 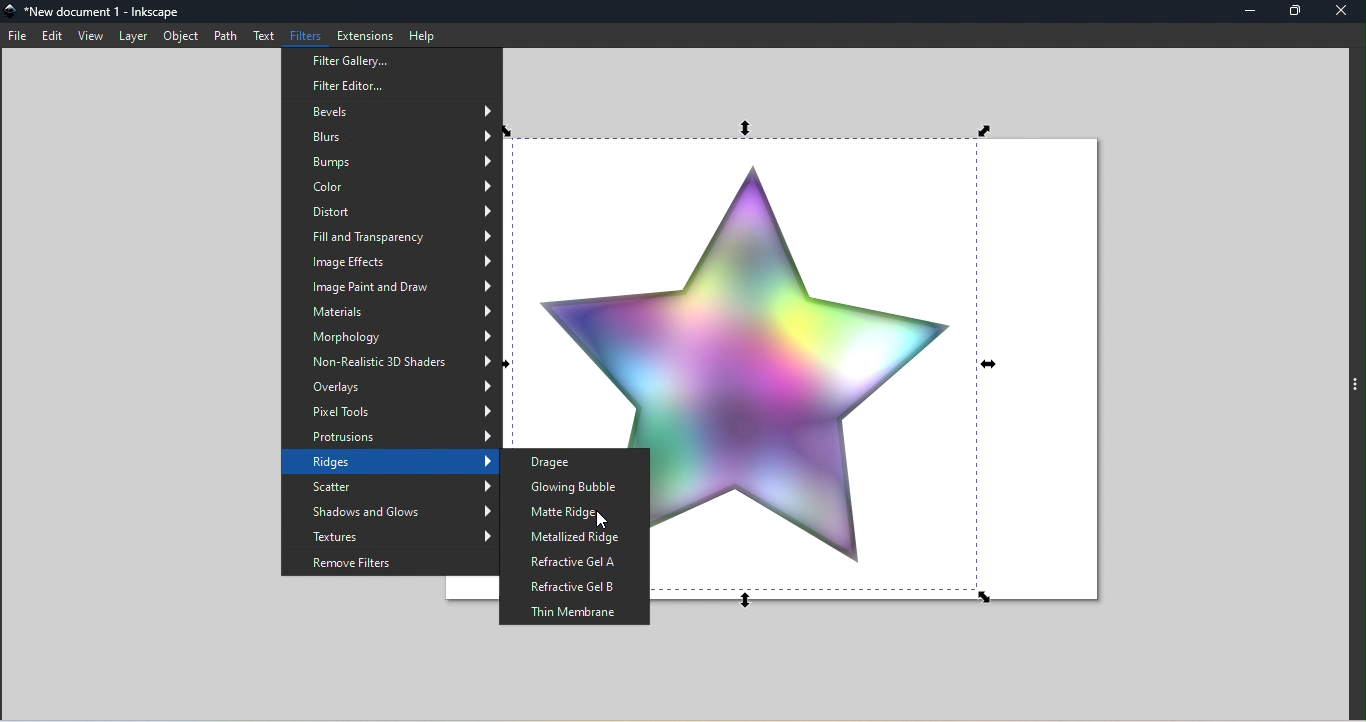 I want to click on Morphology, so click(x=392, y=338).